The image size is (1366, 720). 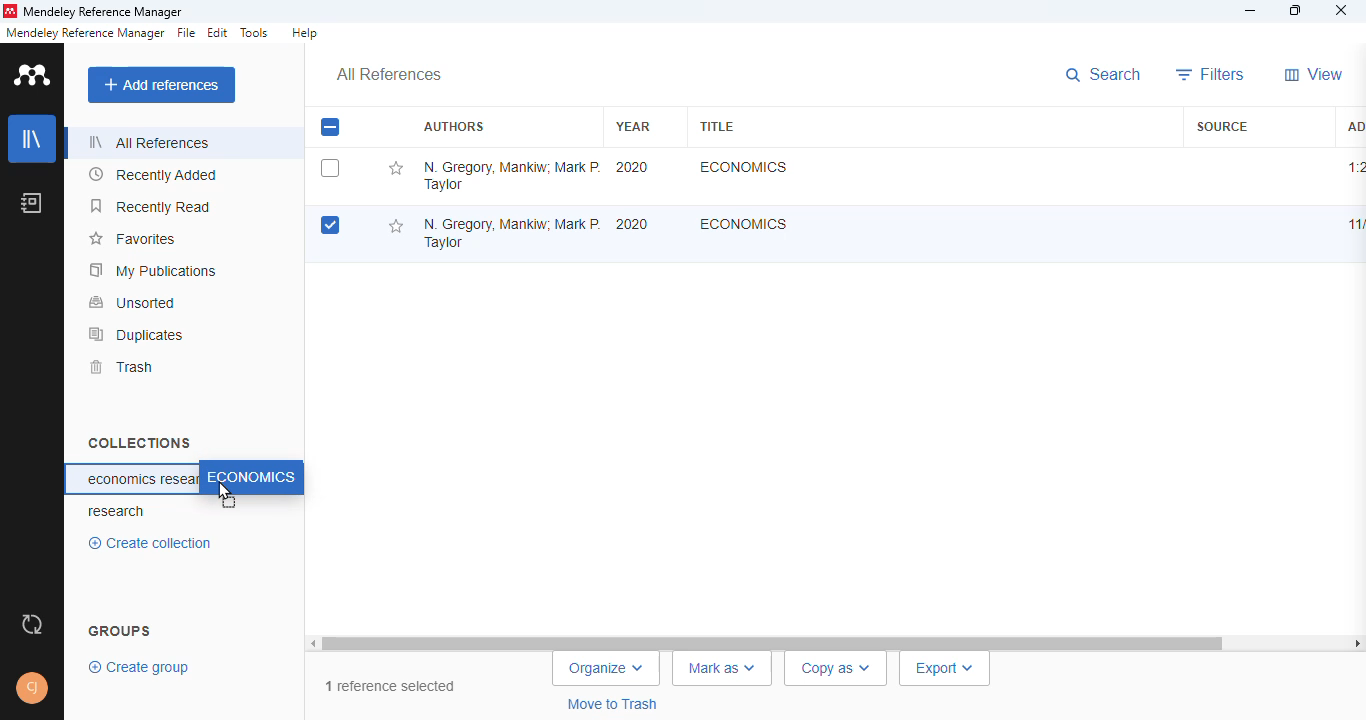 What do you see at coordinates (728, 668) in the screenshot?
I see `mark as` at bounding box center [728, 668].